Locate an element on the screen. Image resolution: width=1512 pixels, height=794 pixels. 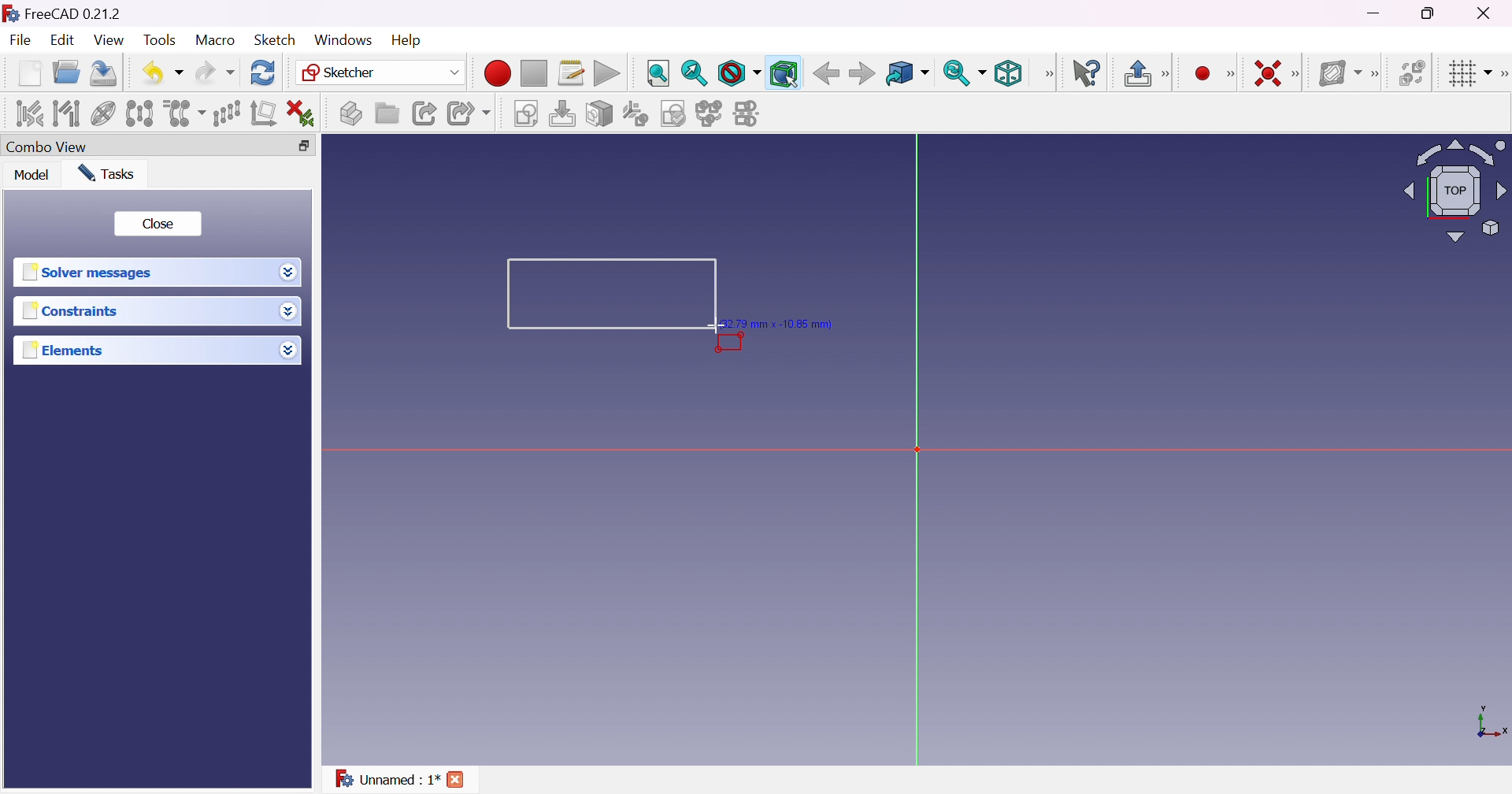
icon is located at coordinates (10, 13).